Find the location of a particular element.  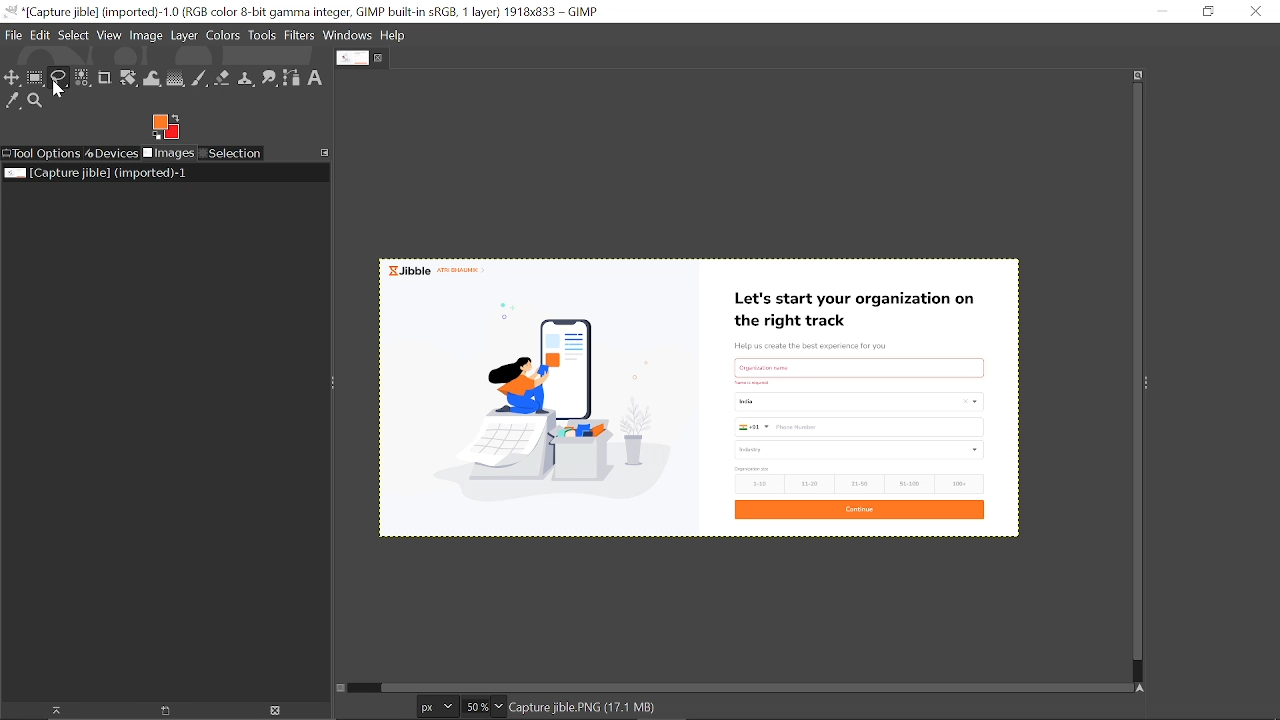

Windows is located at coordinates (349, 37).